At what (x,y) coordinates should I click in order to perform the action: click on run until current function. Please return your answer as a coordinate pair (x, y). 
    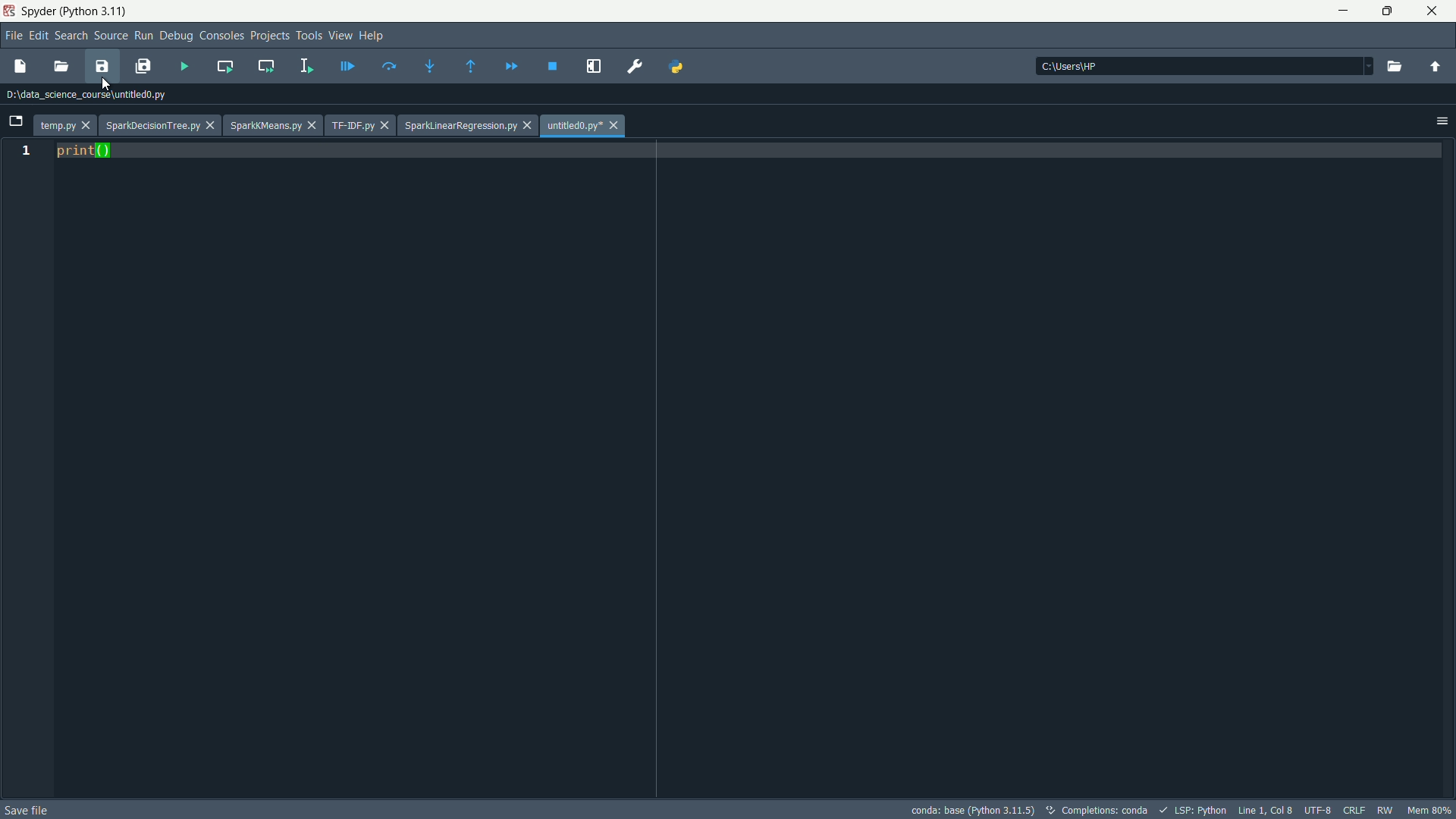
    Looking at the image, I should click on (471, 65).